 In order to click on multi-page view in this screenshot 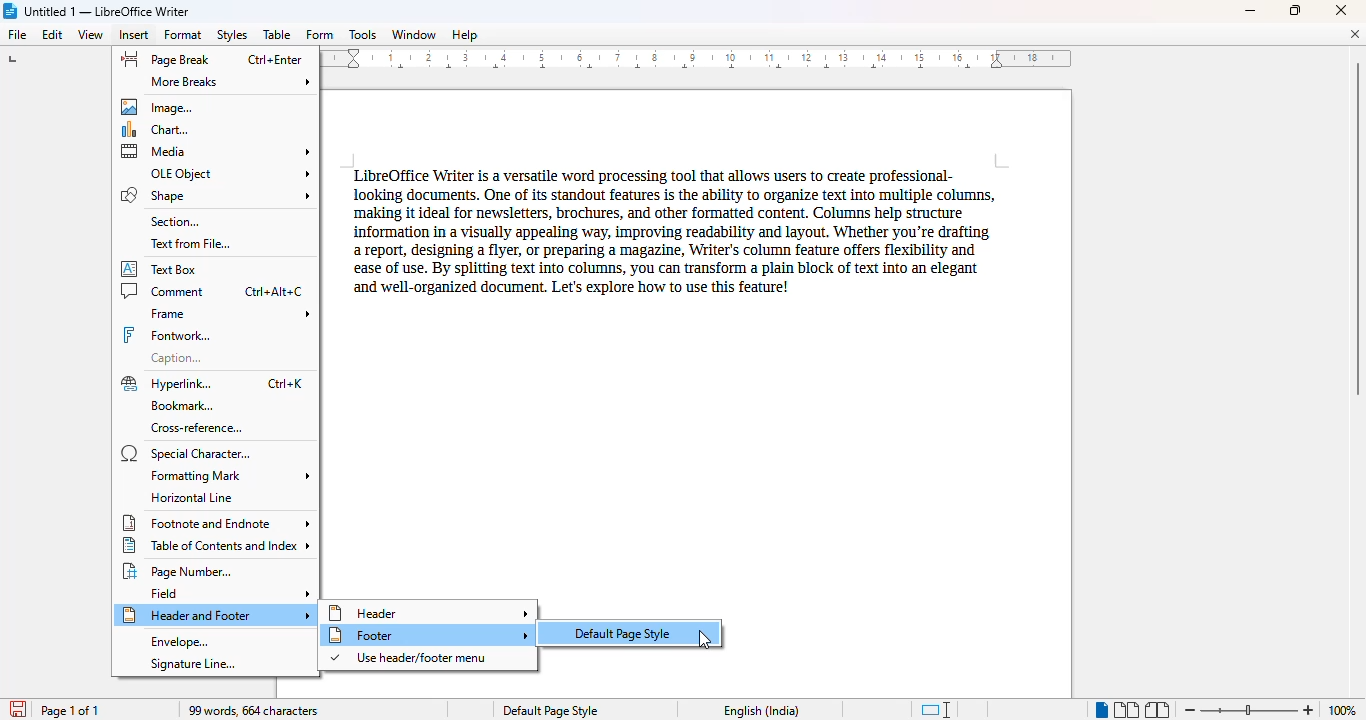, I will do `click(1126, 710)`.